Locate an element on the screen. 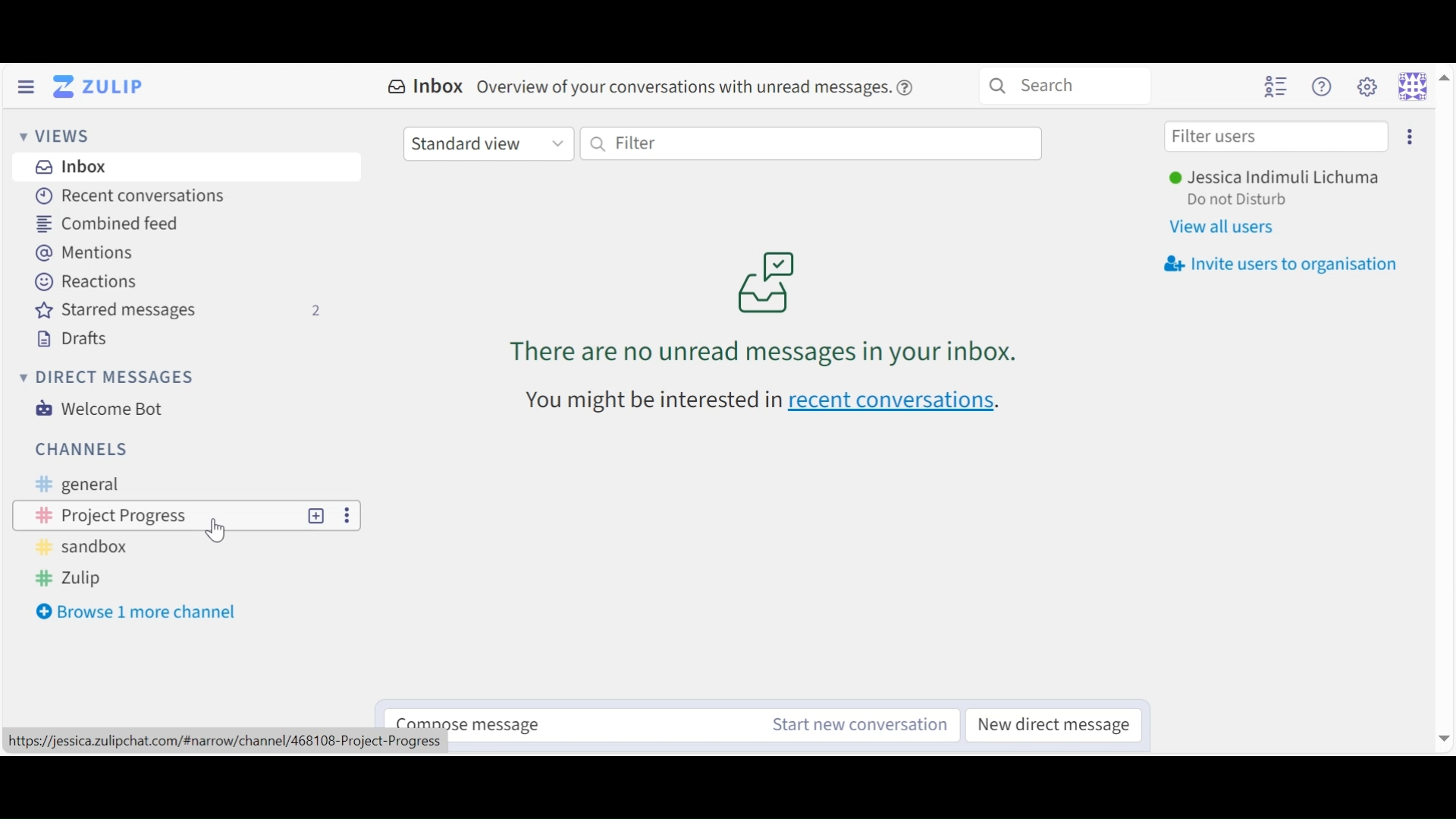 The image size is (1456, 819). Go to Home View (Inbox) is located at coordinates (105, 86).